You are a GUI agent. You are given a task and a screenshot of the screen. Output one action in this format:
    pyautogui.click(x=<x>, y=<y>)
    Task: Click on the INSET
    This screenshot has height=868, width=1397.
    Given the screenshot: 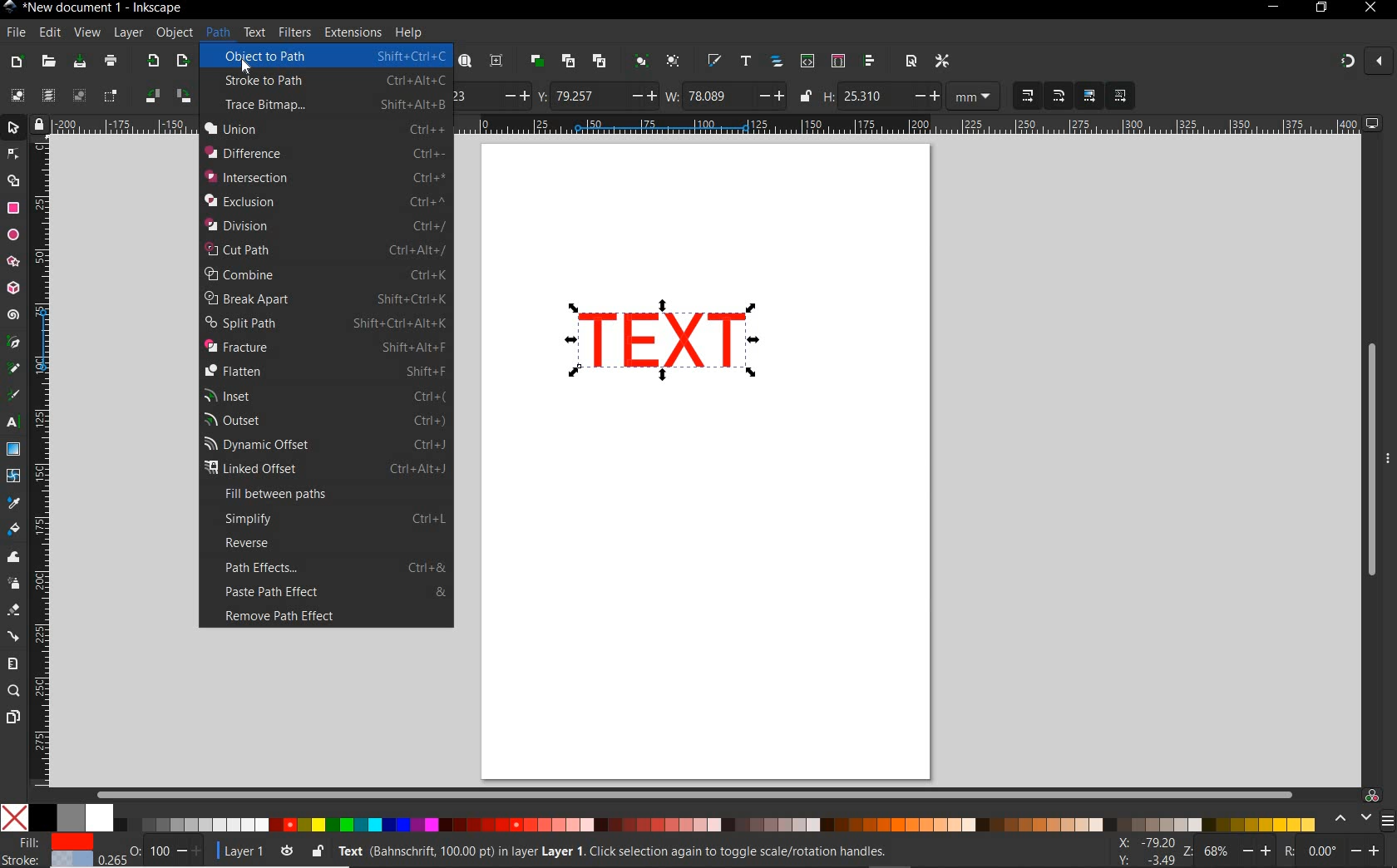 What is the action you would take?
    pyautogui.click(x=324, y=395)
    